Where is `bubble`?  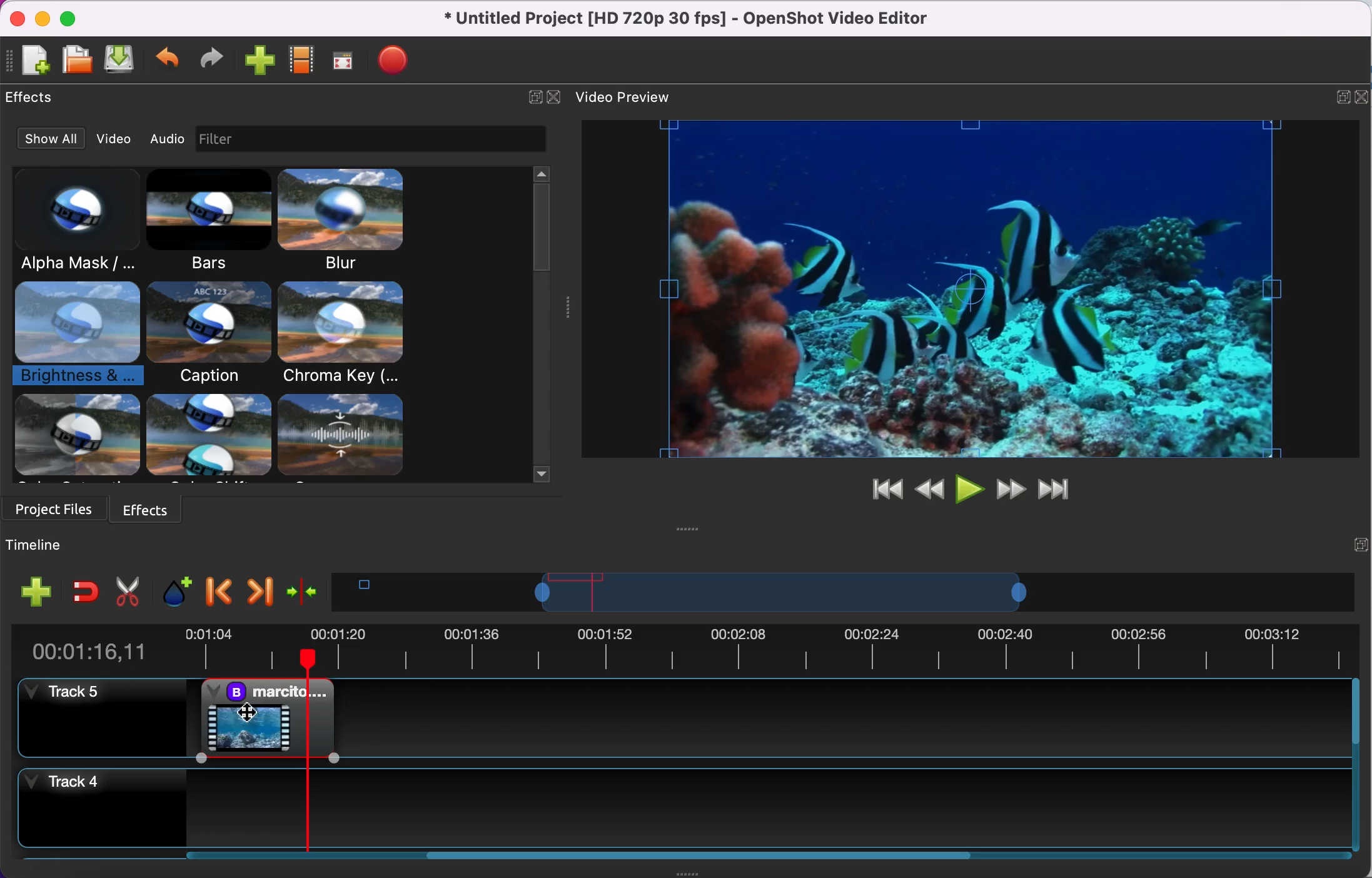 bubble is located at coordinates (208, 333).